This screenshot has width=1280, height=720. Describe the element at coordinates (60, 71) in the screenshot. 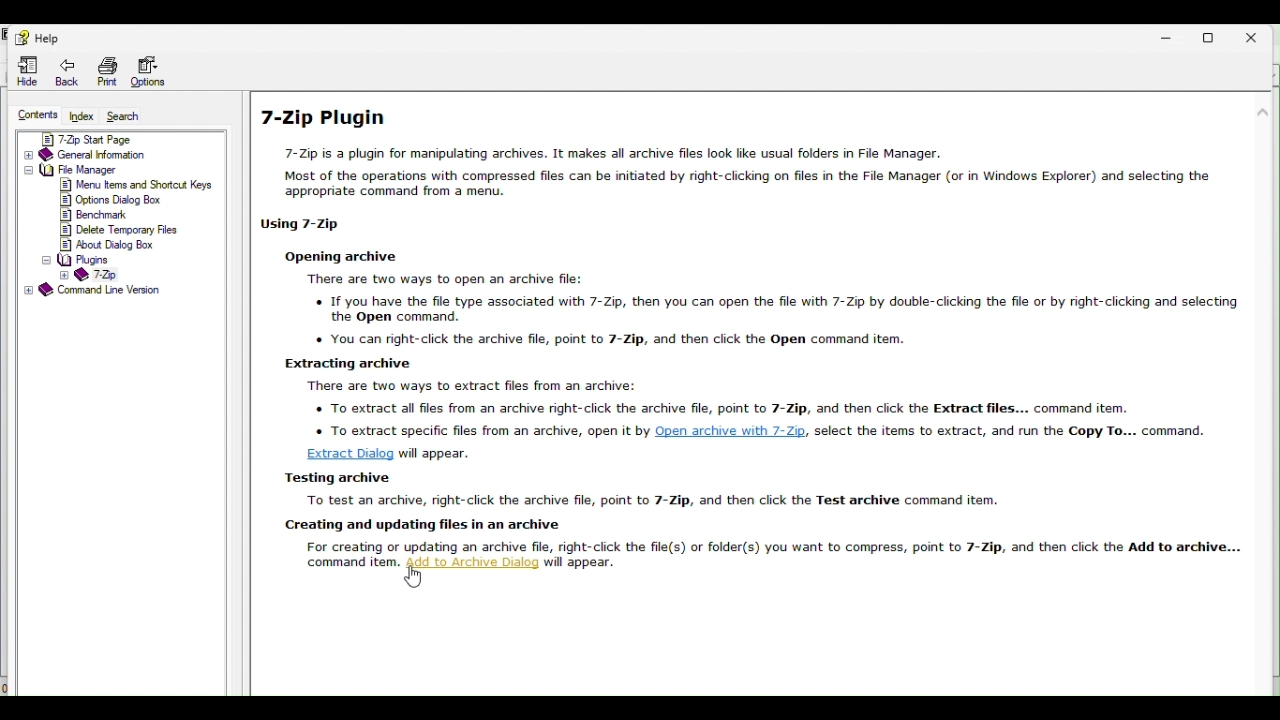

I see `Back` at that location.